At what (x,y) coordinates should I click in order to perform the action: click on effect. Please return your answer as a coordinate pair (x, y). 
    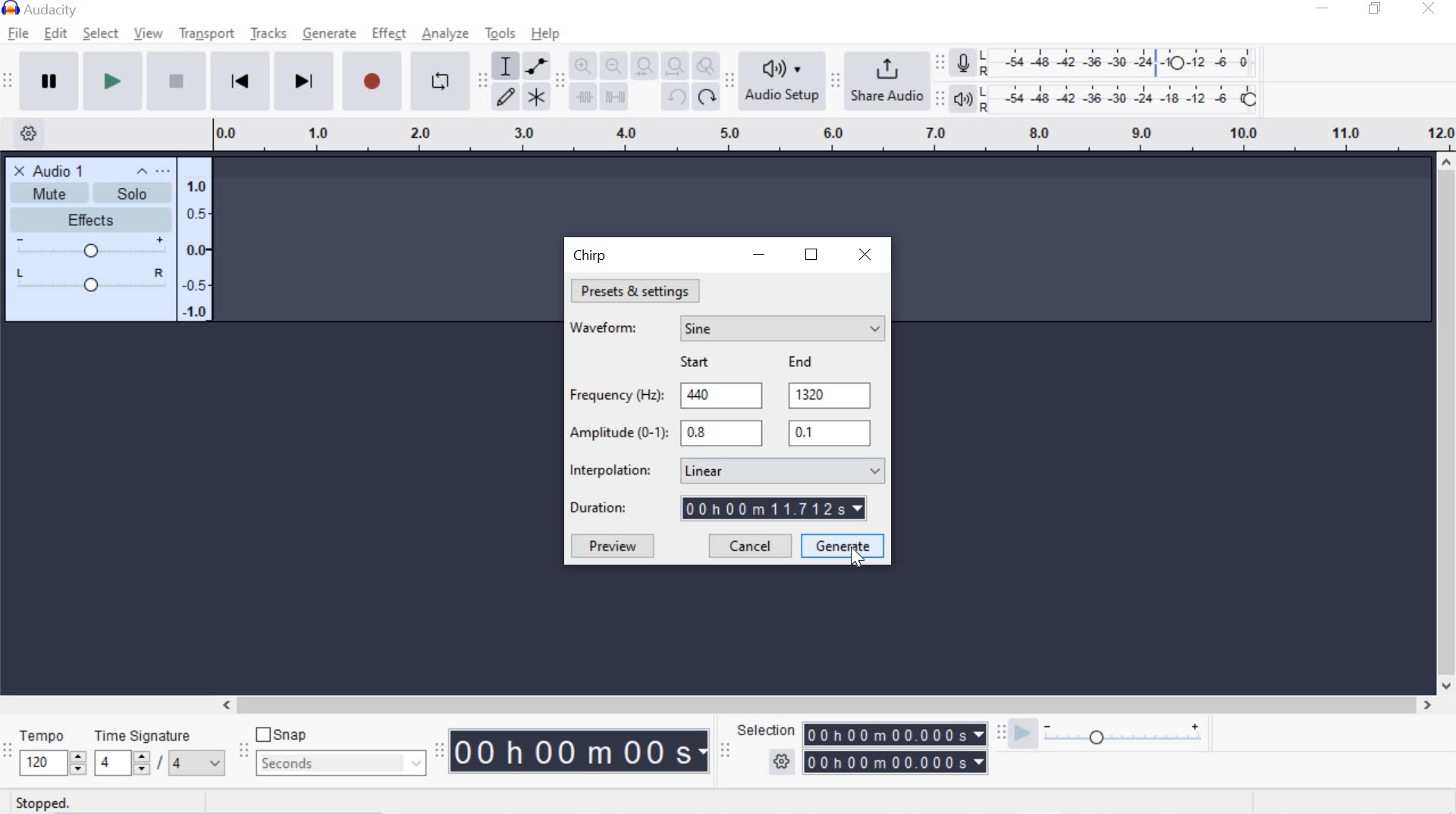
    Looking at the image, I should click on (388, 33).